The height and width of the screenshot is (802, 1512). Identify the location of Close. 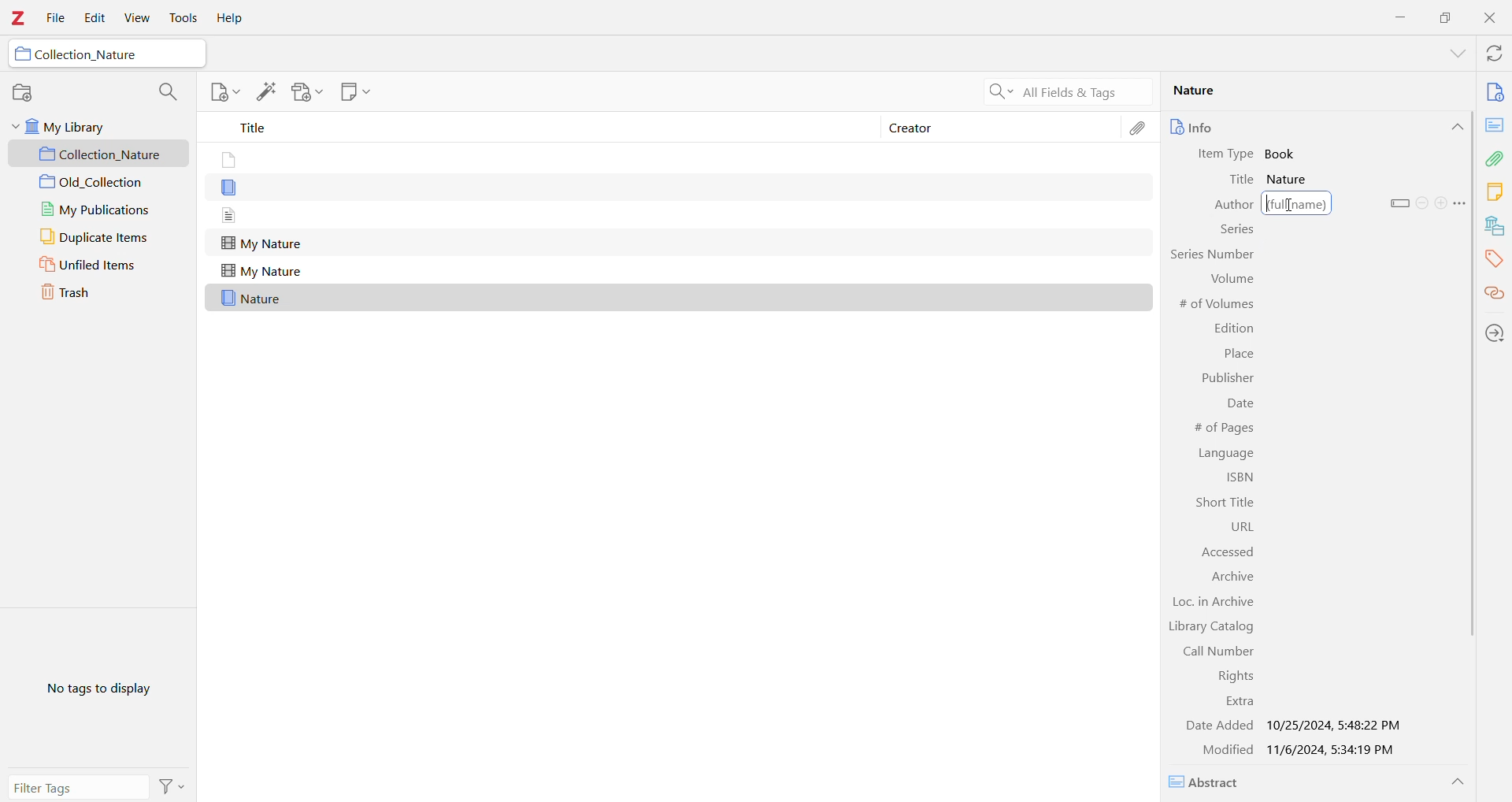
(1493, 20).